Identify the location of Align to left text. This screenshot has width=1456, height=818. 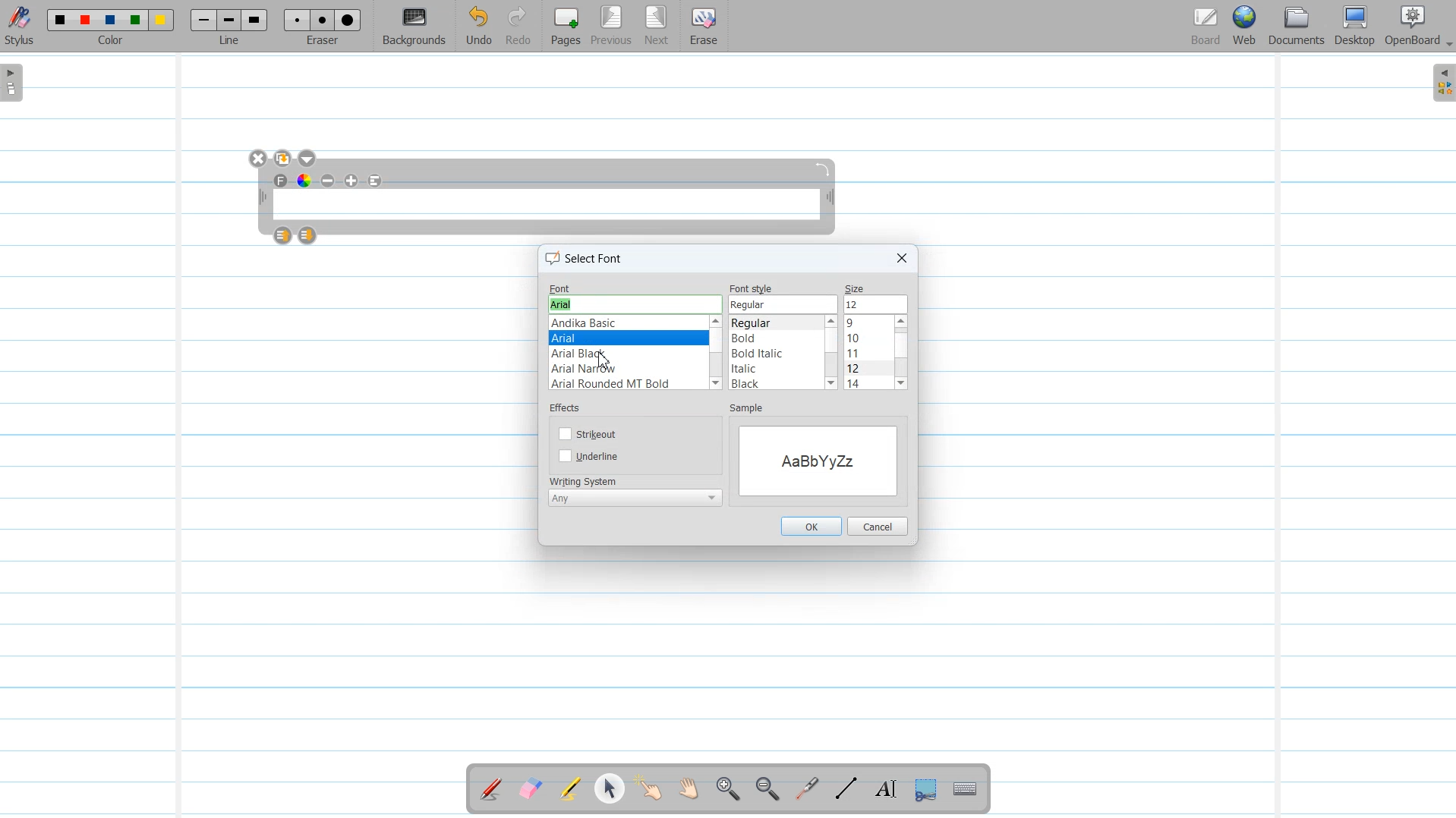
(376, 181).